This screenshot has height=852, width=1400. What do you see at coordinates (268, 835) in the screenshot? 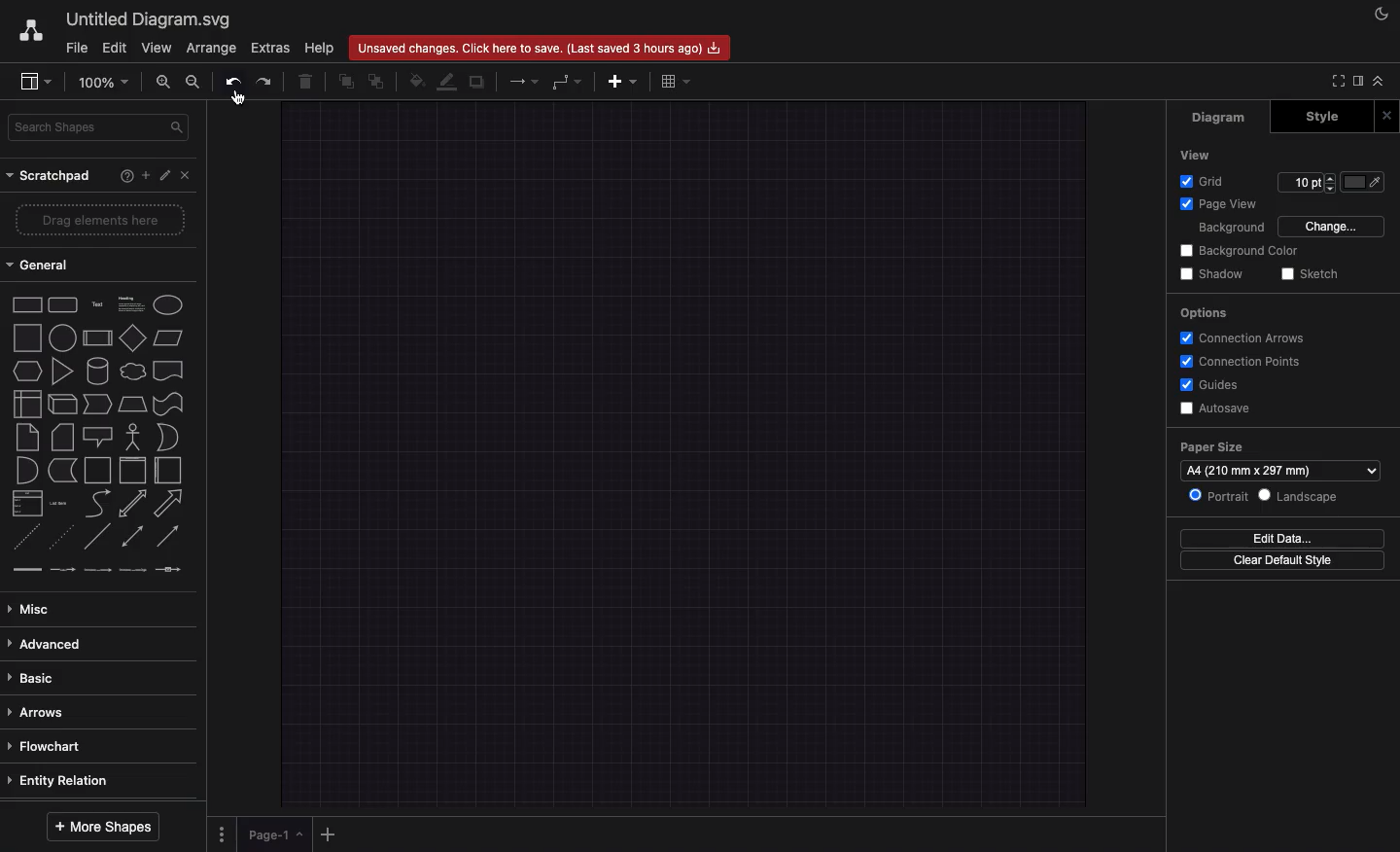
I see `page 1` at bounding box center [268, 835].